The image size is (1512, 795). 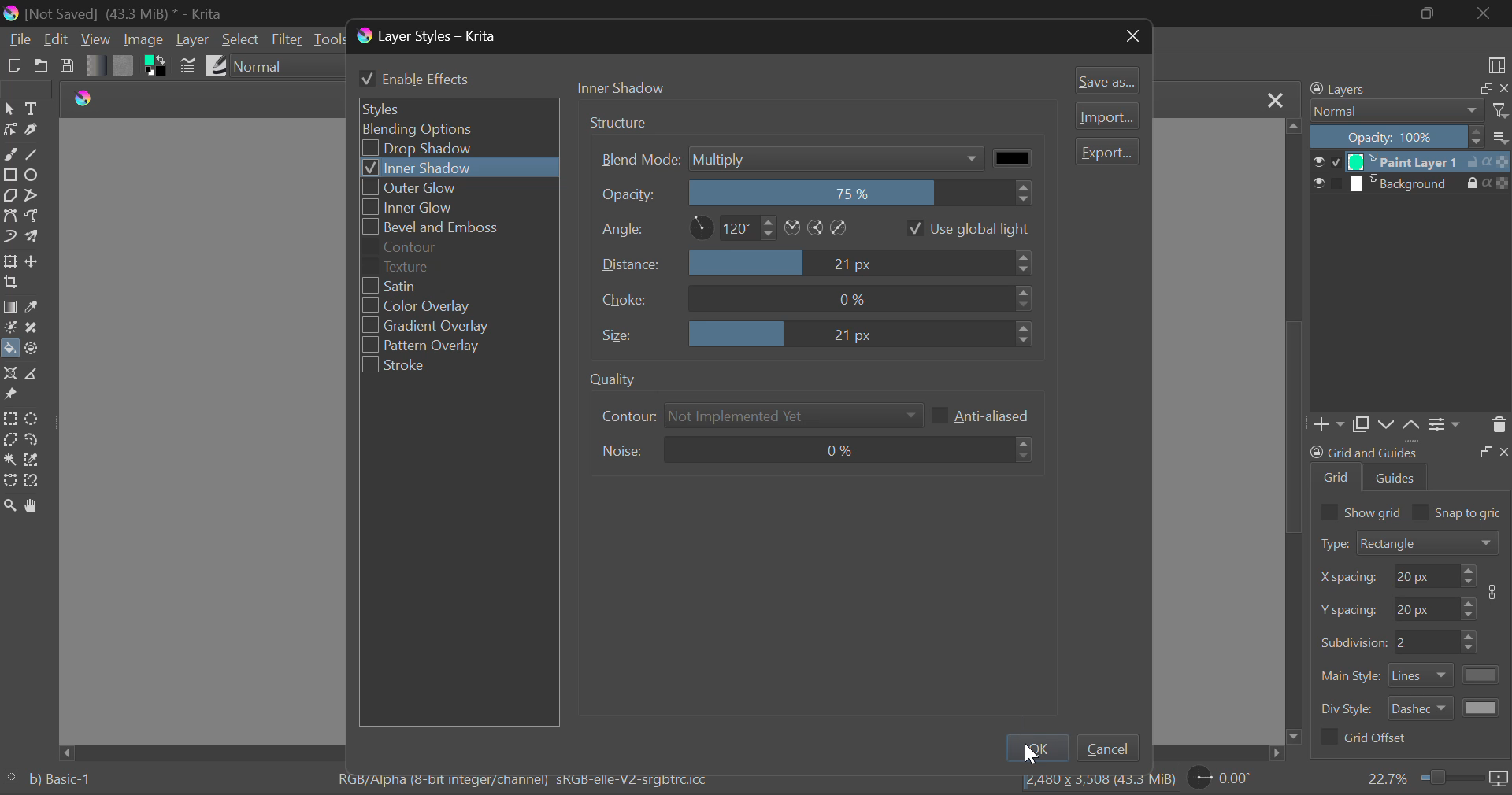 I want to click on Continuous Selection, so click(x=9, y=462).